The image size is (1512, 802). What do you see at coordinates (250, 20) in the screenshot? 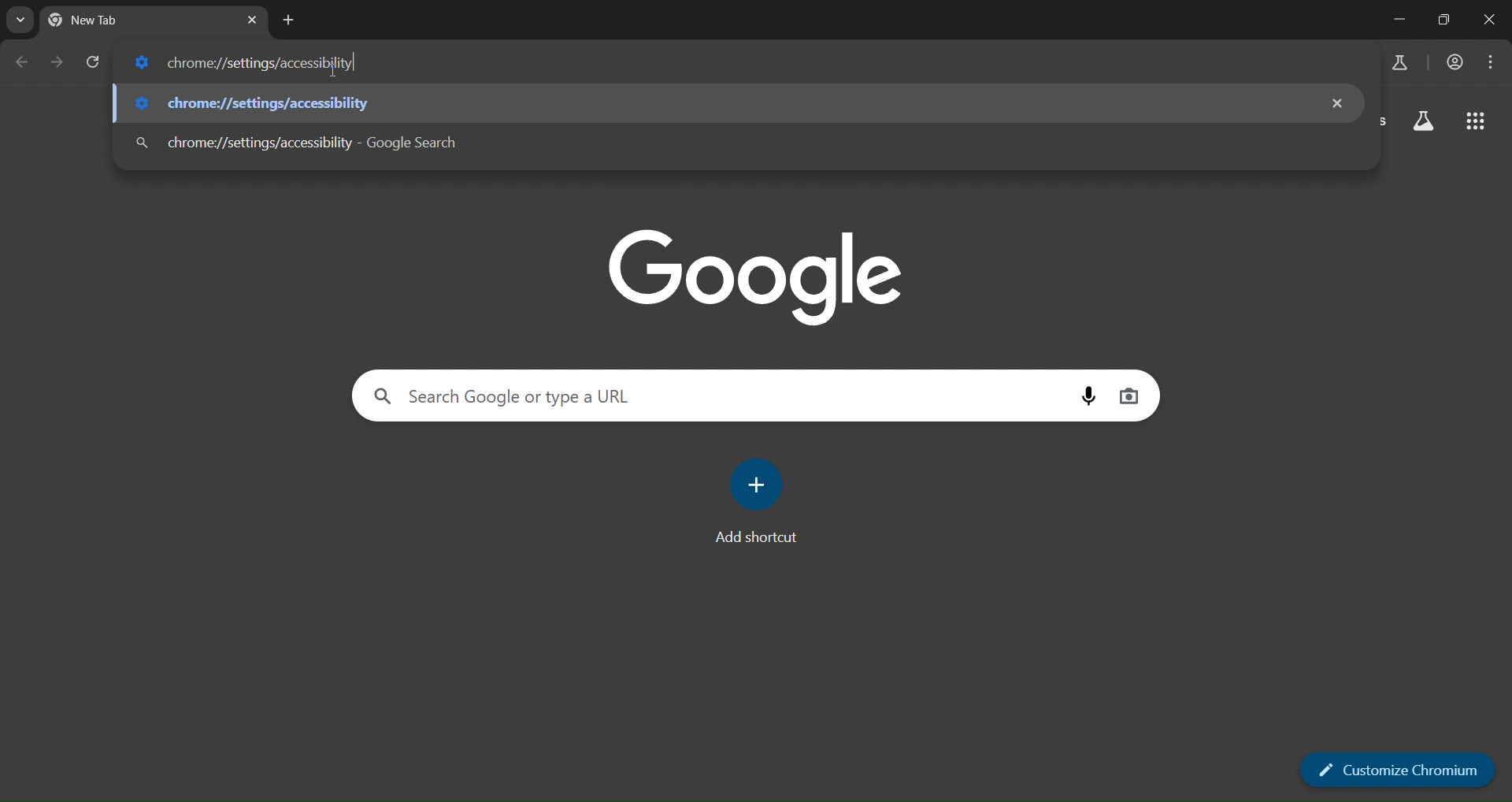
I see `close tab` at bounding box center [250, 20].